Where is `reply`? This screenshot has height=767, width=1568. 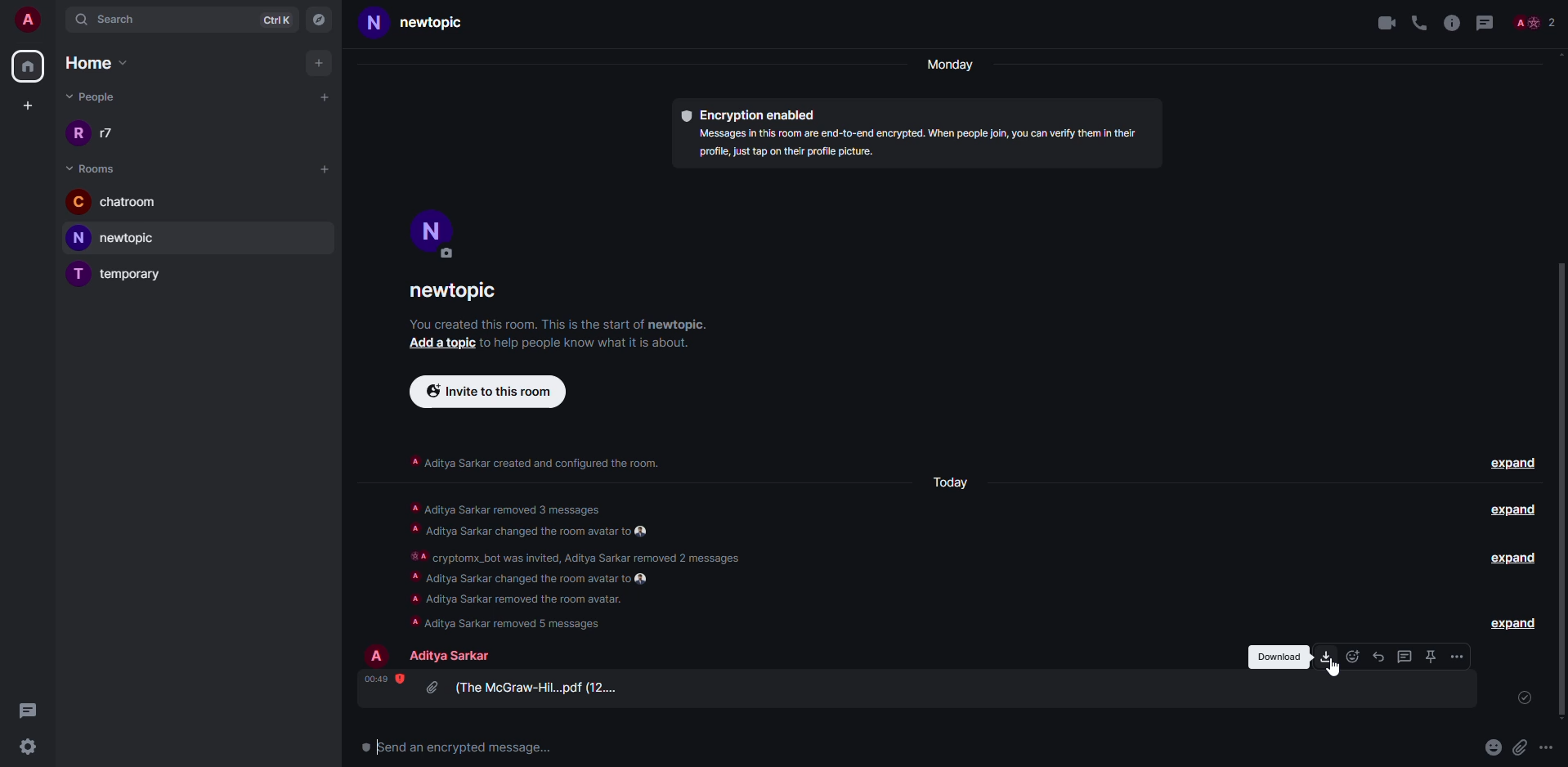 reply is located at coordinates (1377, 656).